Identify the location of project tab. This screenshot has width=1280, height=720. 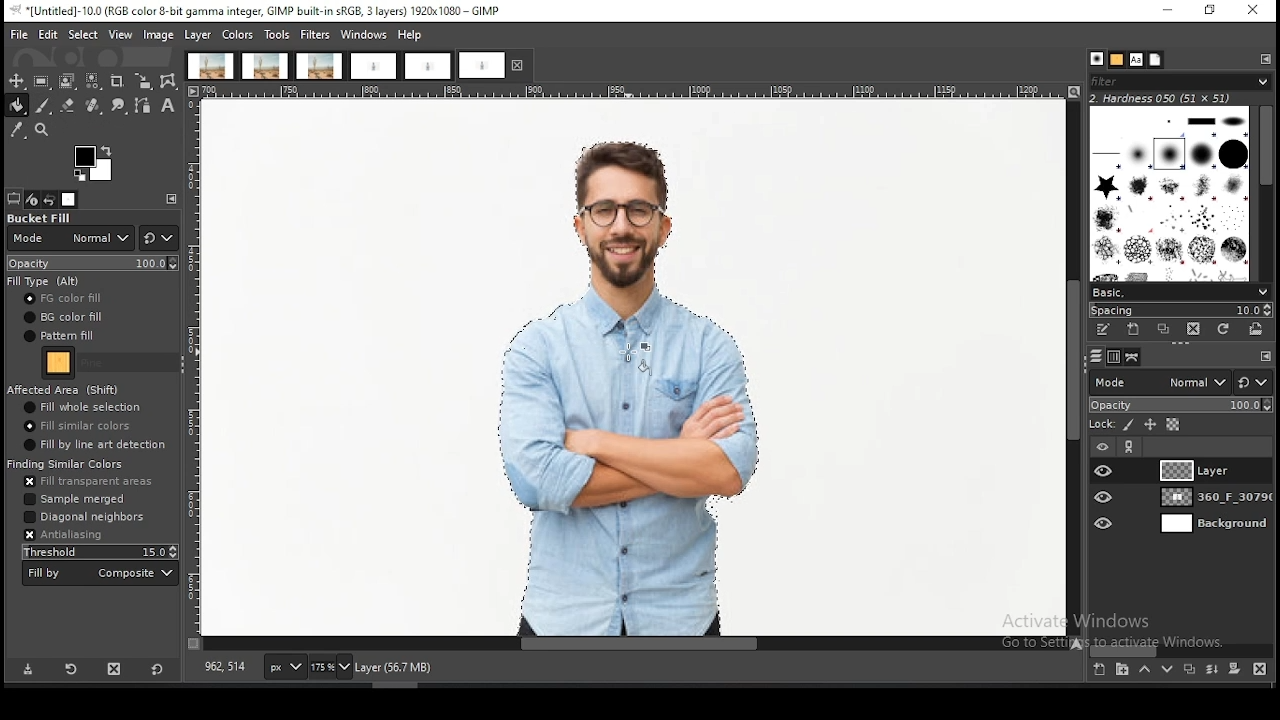
(210, 66).